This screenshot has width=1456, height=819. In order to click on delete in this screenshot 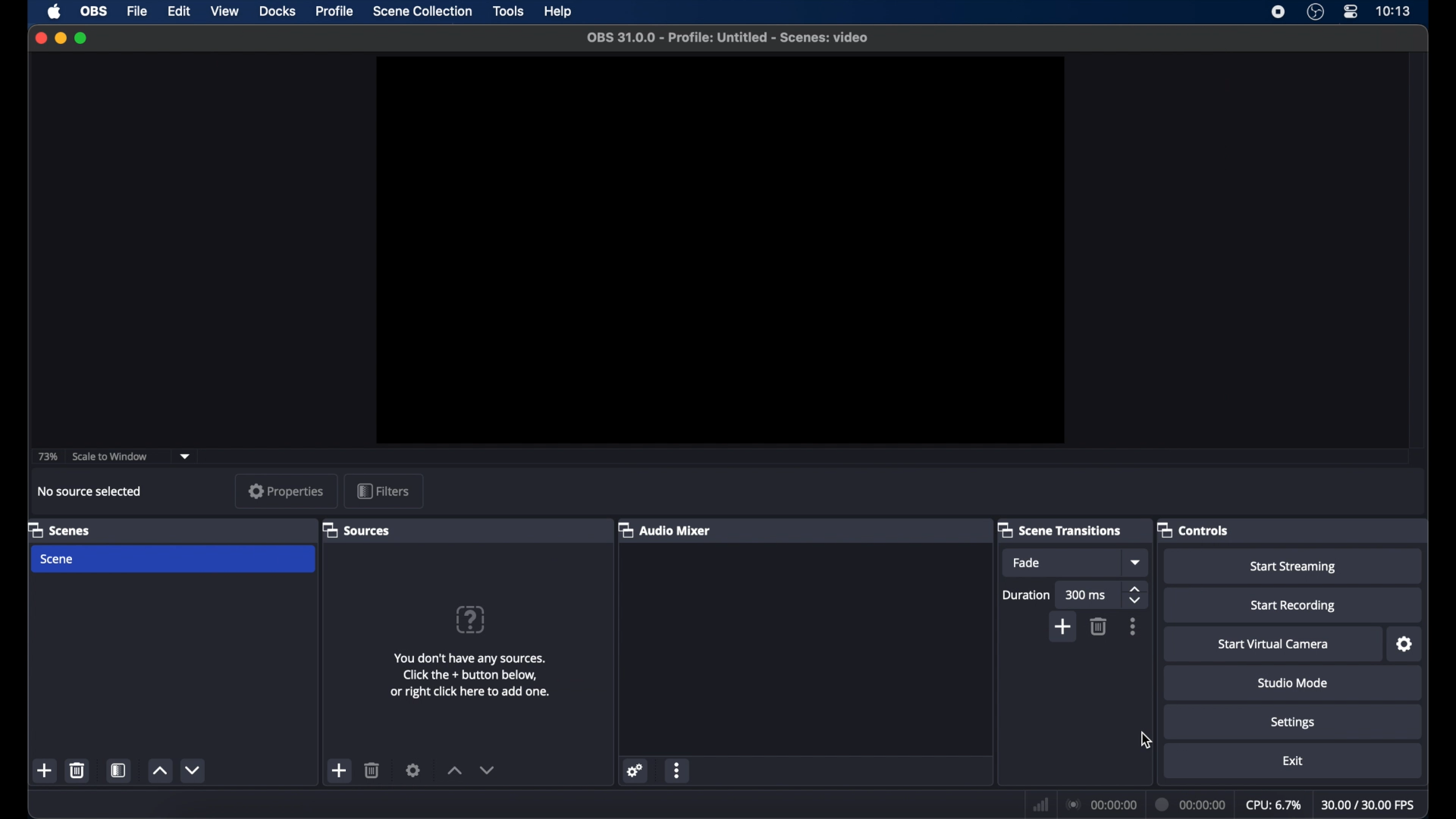, I will do `click(77, 770)`.